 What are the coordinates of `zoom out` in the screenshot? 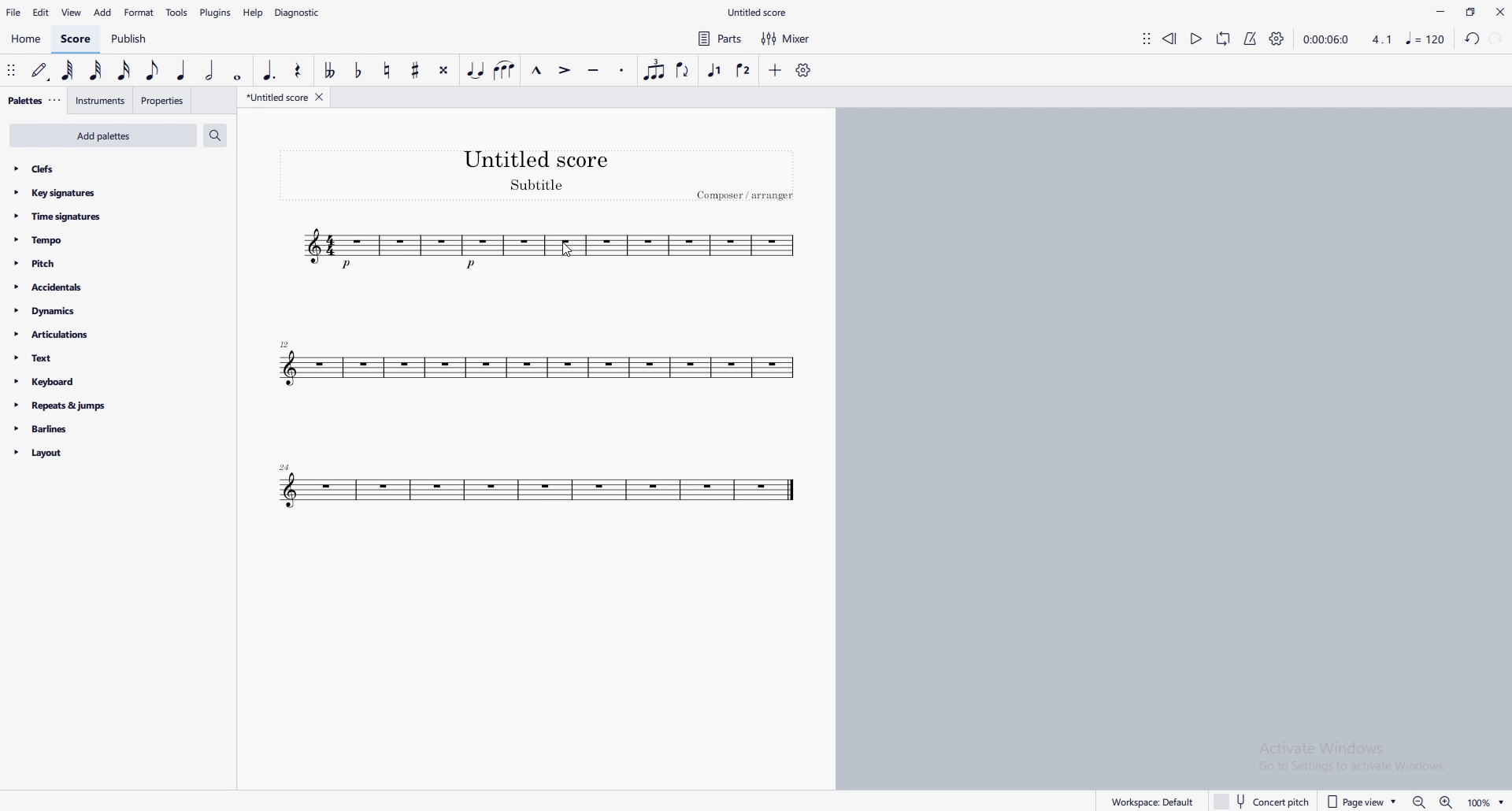 It's located at (1420, 802).